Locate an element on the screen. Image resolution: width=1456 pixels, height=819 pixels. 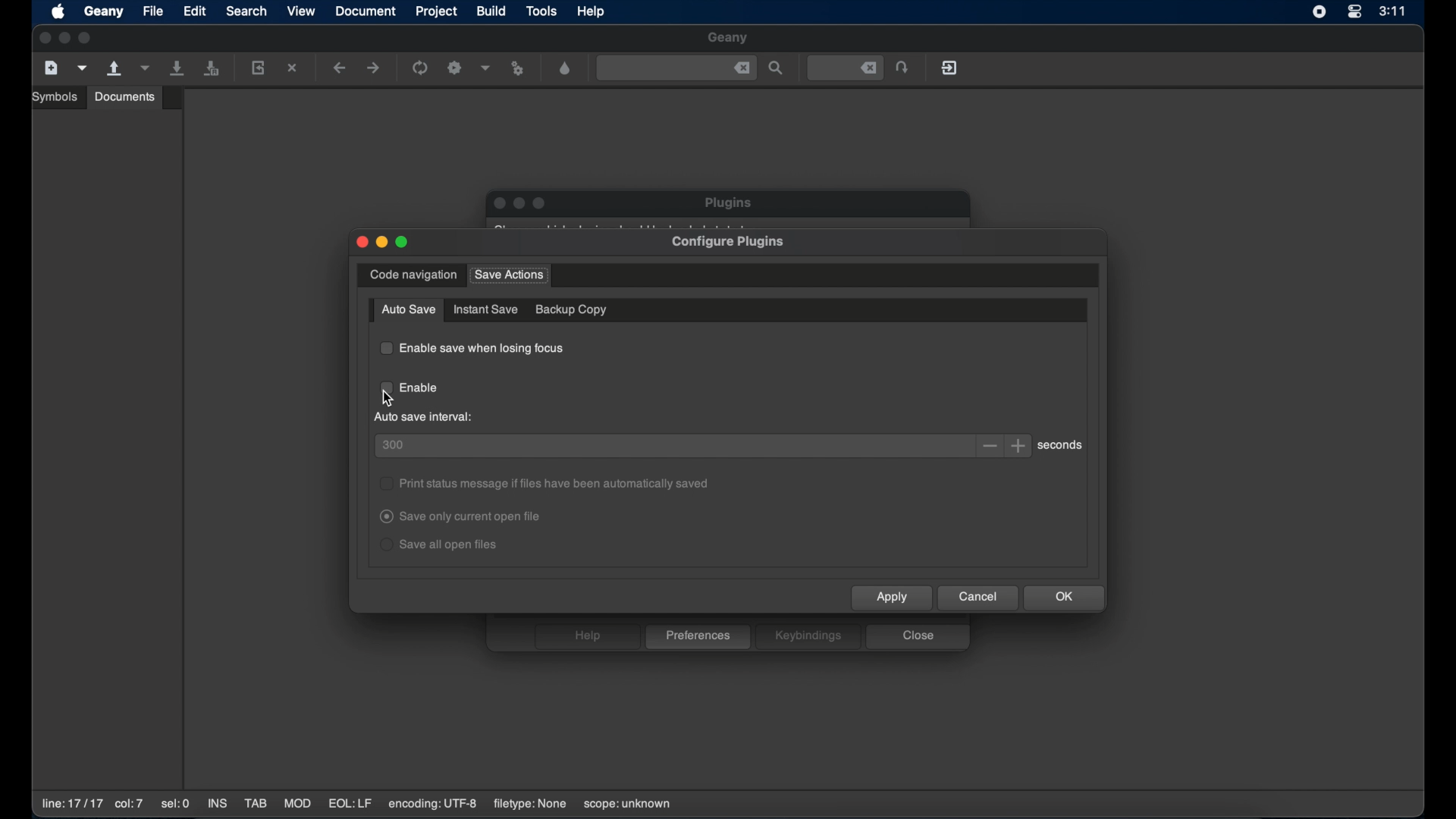
minimize is located at coordinates (65, 39).